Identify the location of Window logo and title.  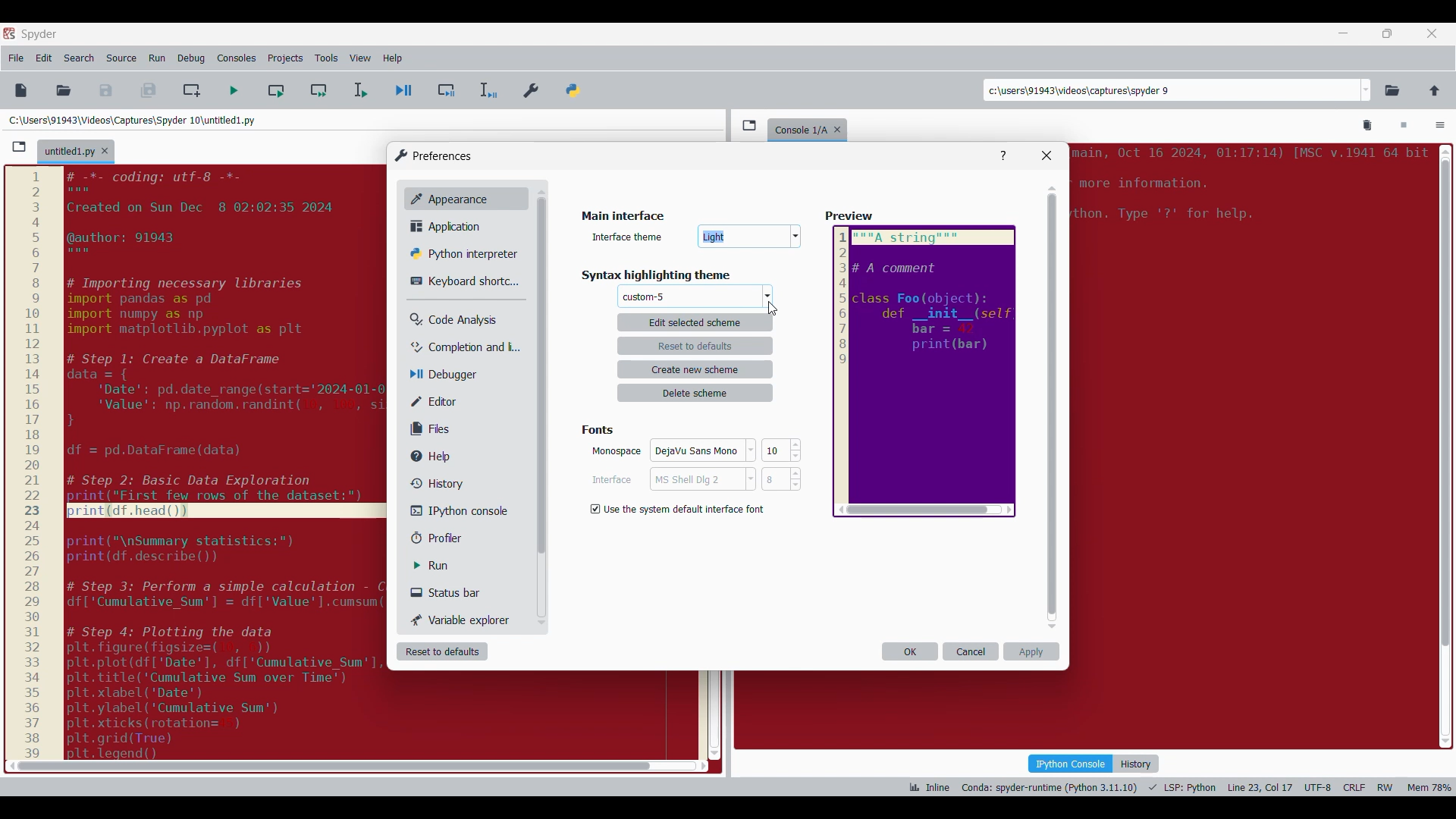
(434, 155).